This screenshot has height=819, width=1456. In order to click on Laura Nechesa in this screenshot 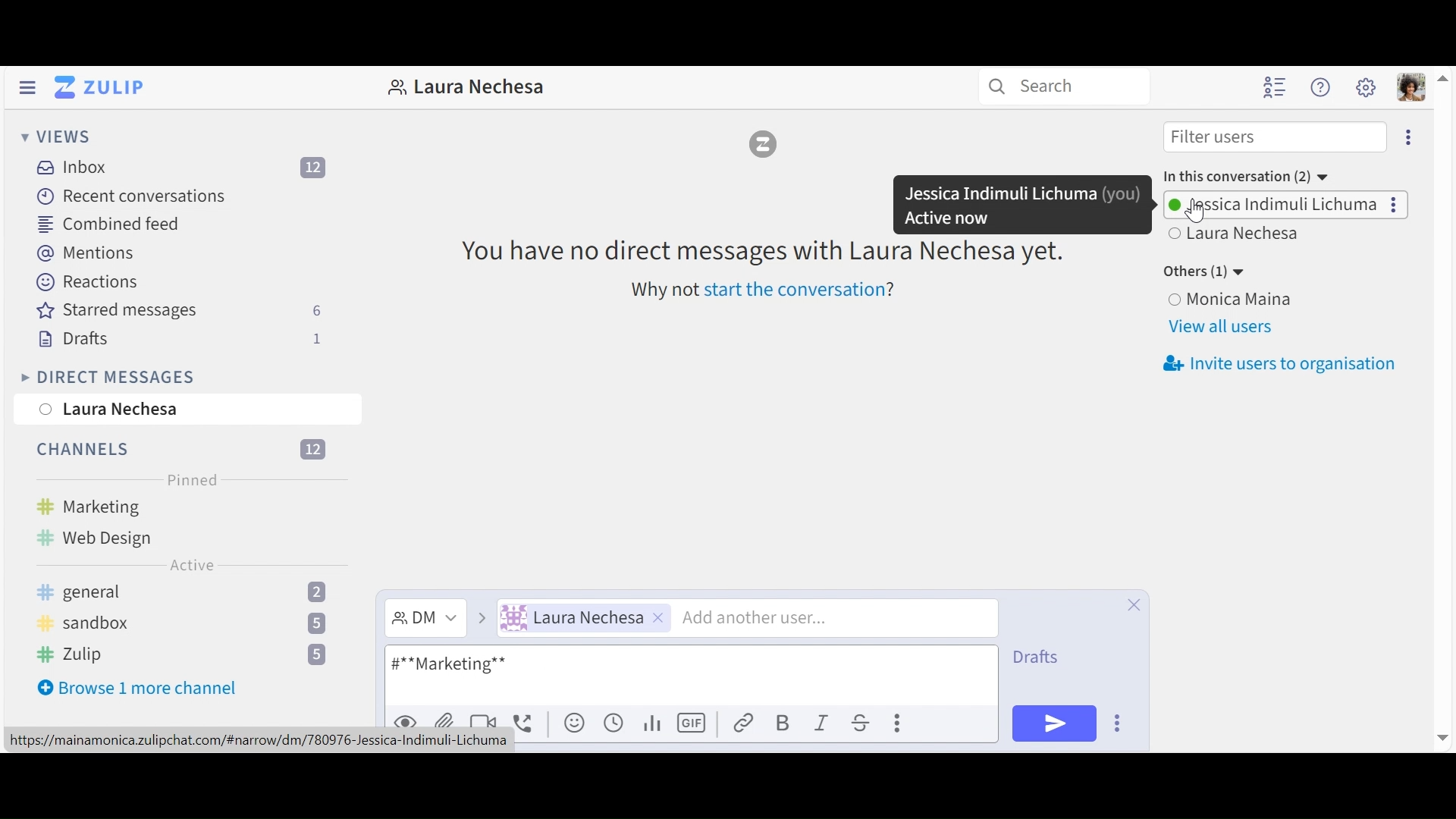, I will do `click(111, 411)`.